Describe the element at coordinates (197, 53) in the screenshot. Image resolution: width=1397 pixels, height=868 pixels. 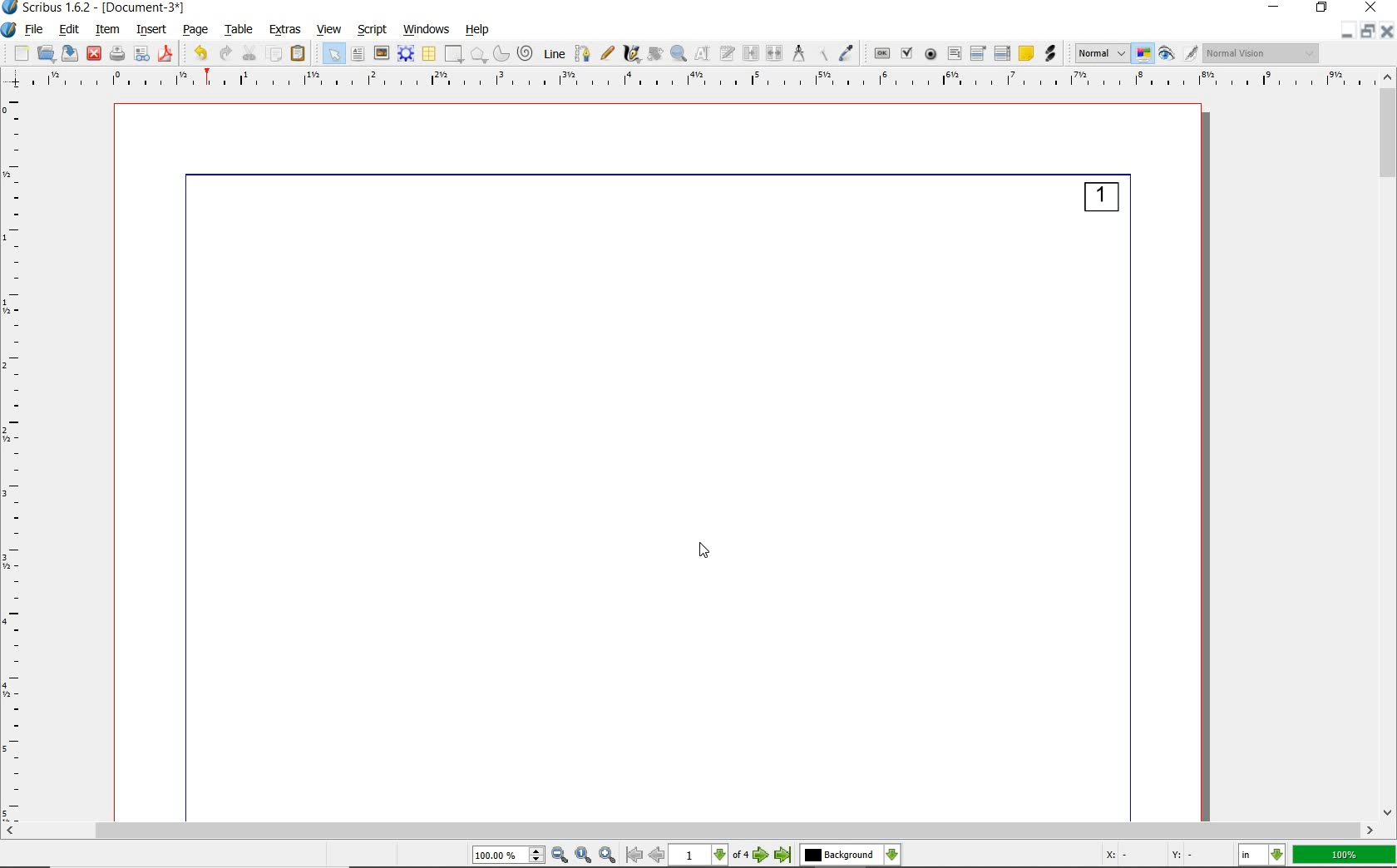
I see `undo` at that location.